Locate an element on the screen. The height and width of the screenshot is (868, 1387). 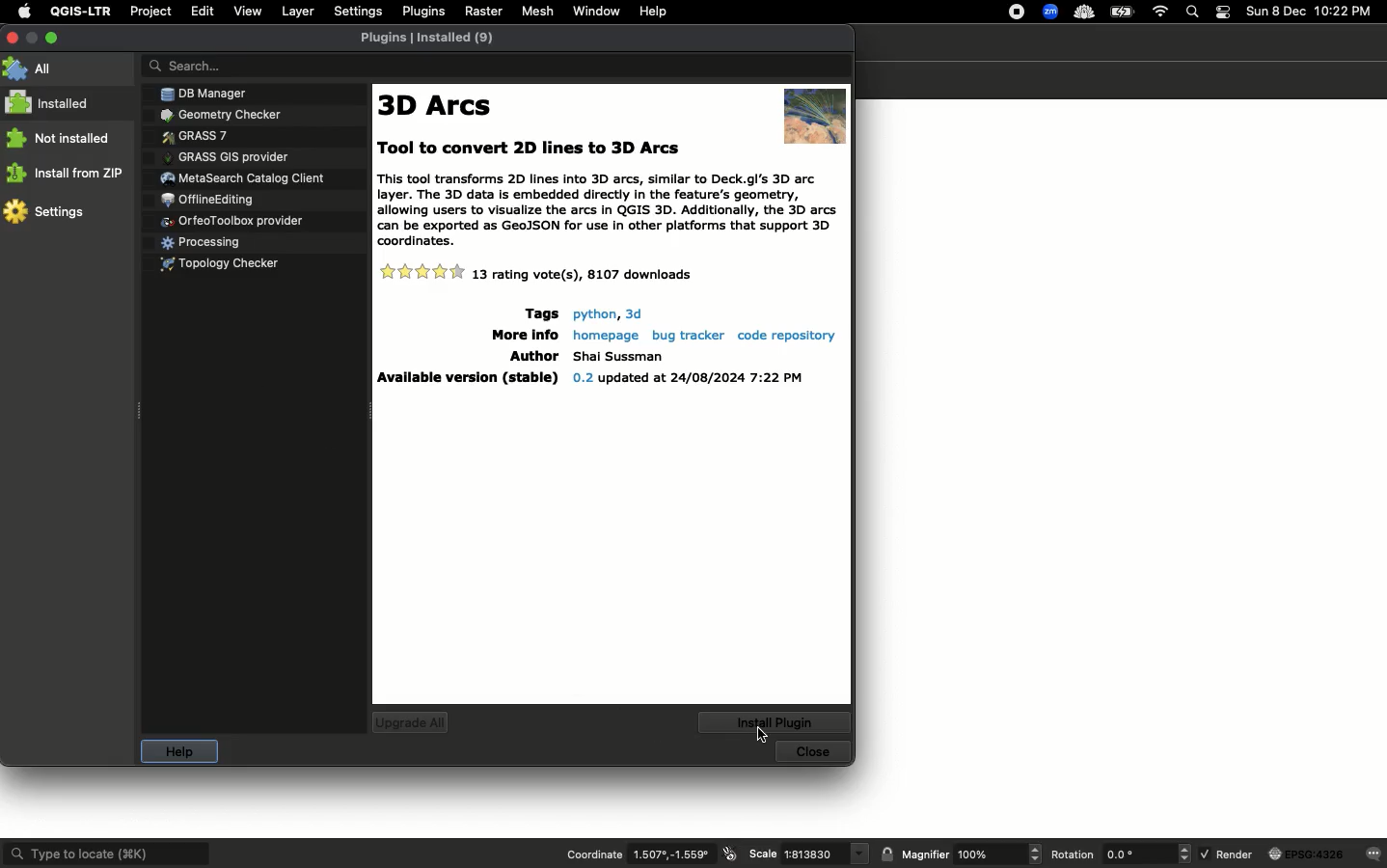
Plugins is located at coordinates (215, 262).